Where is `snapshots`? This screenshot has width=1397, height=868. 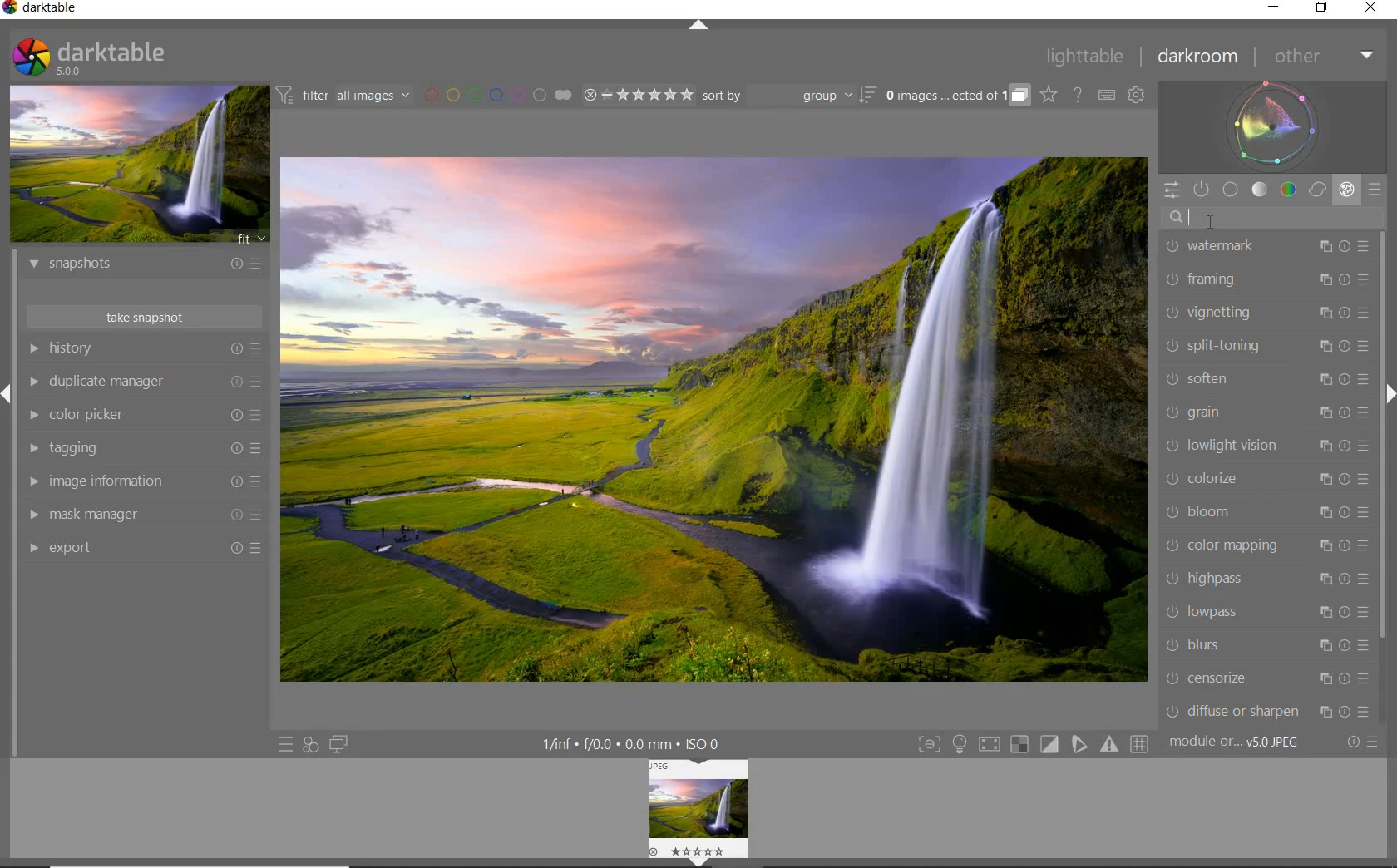
snapshots is located at coordinates (149, 266).